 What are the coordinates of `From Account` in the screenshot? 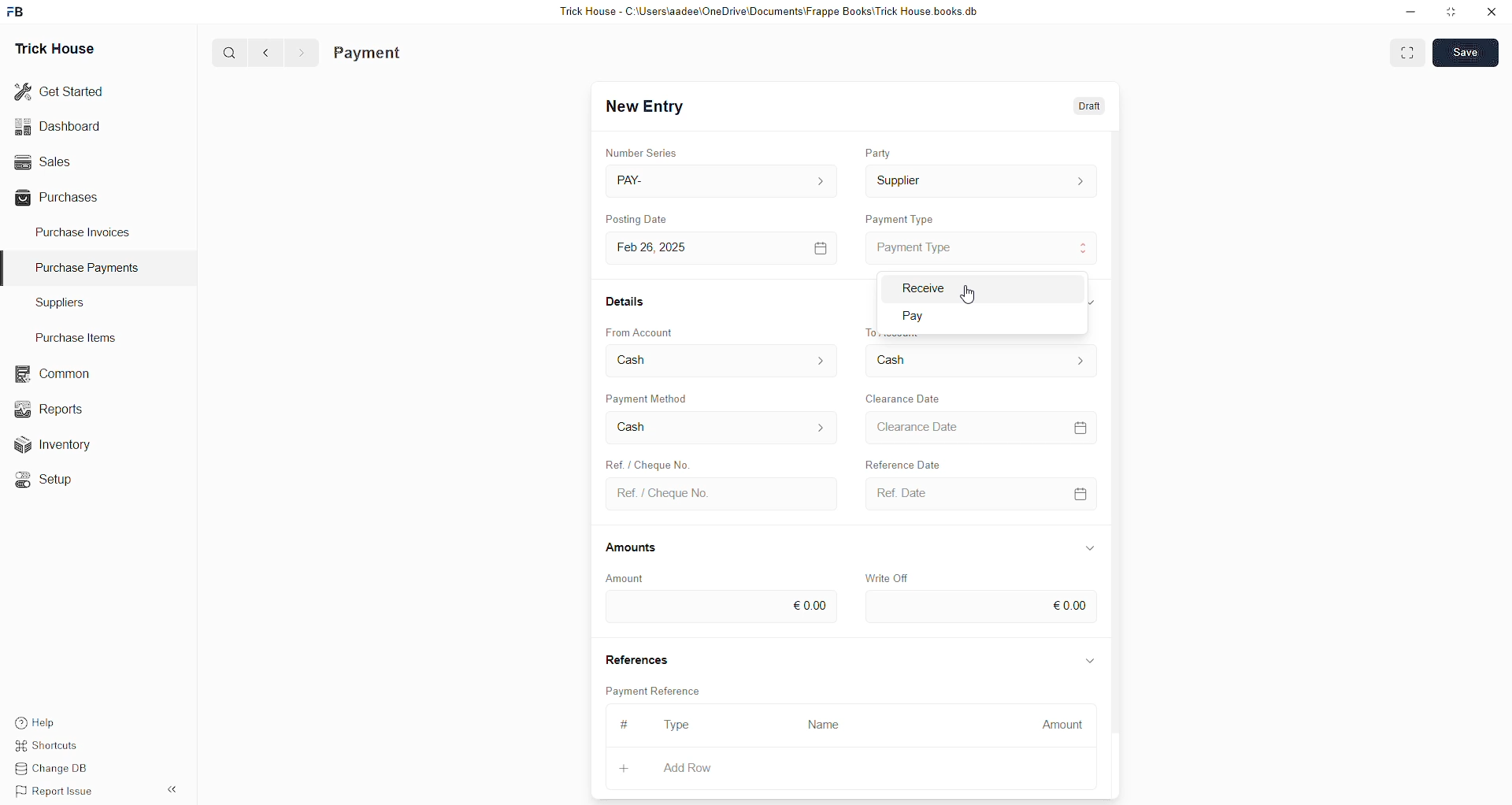 It's located at (723, 360).